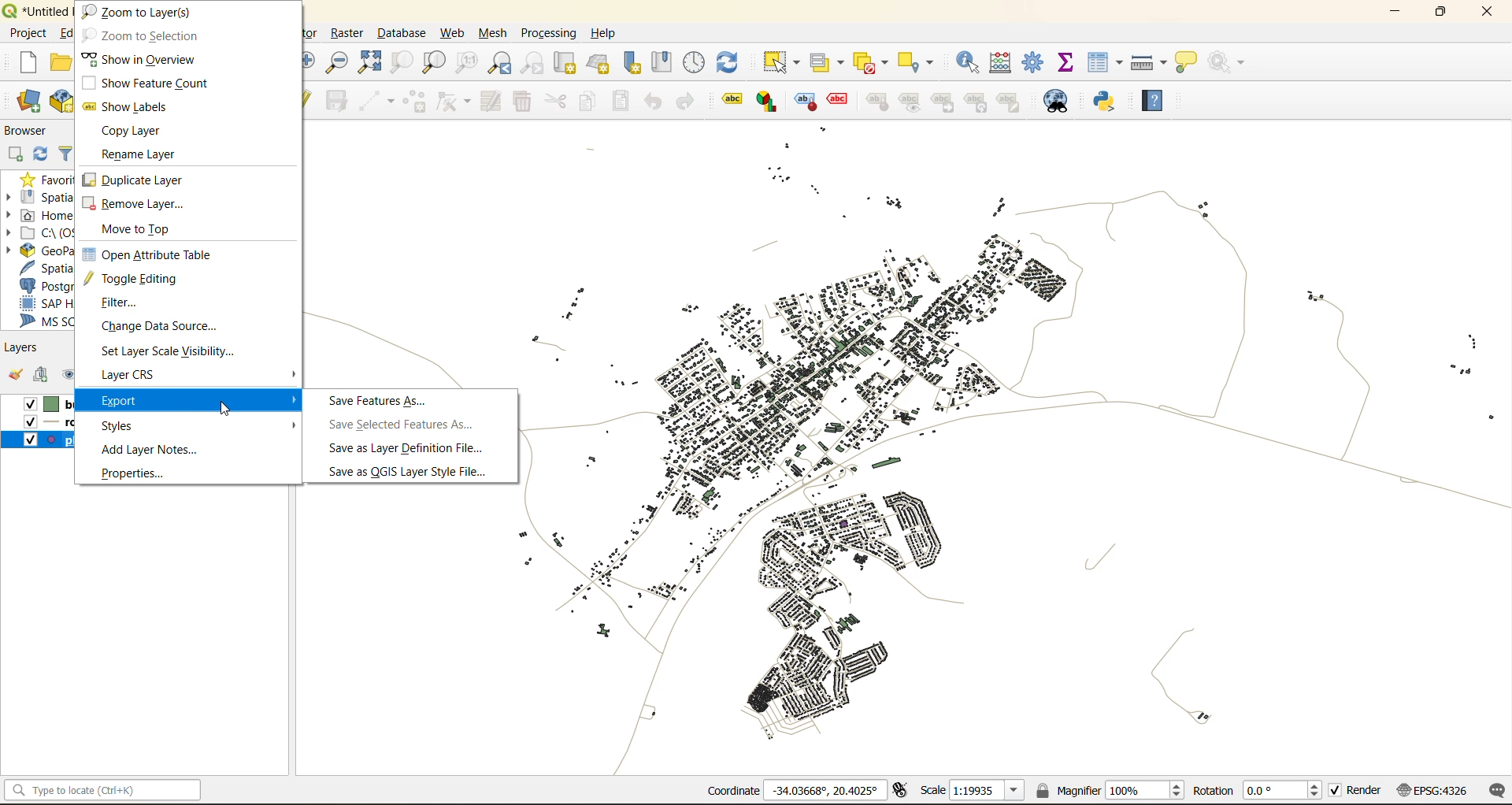 This screenshot has width=1512, height=805. What do you see at coordinates (879, 102) in the screenshot?
I see `pin/unpin labels and diagrams` at bounding box center [879, 102].